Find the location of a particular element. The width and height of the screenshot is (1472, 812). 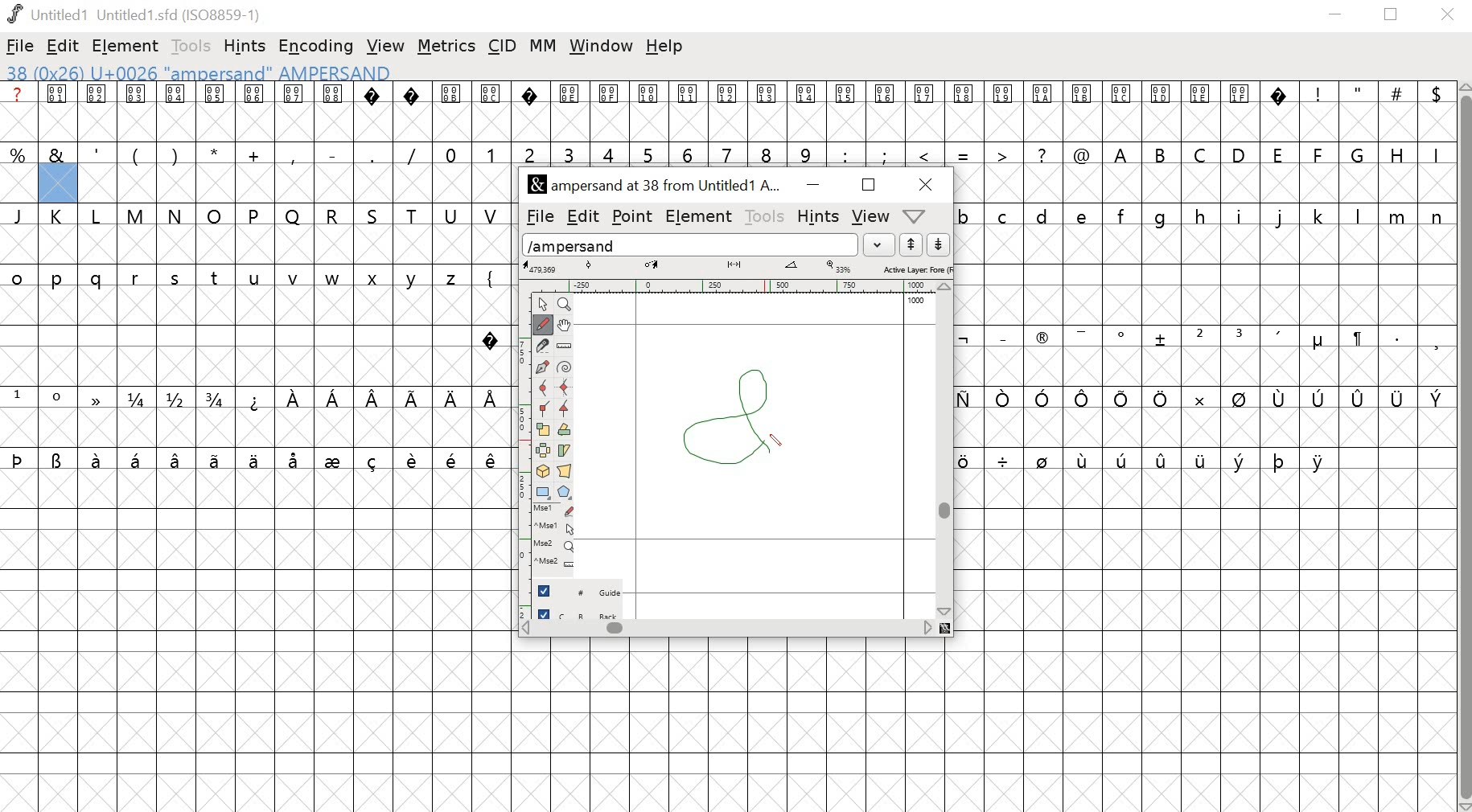

< is located at coordinates (927, 154).